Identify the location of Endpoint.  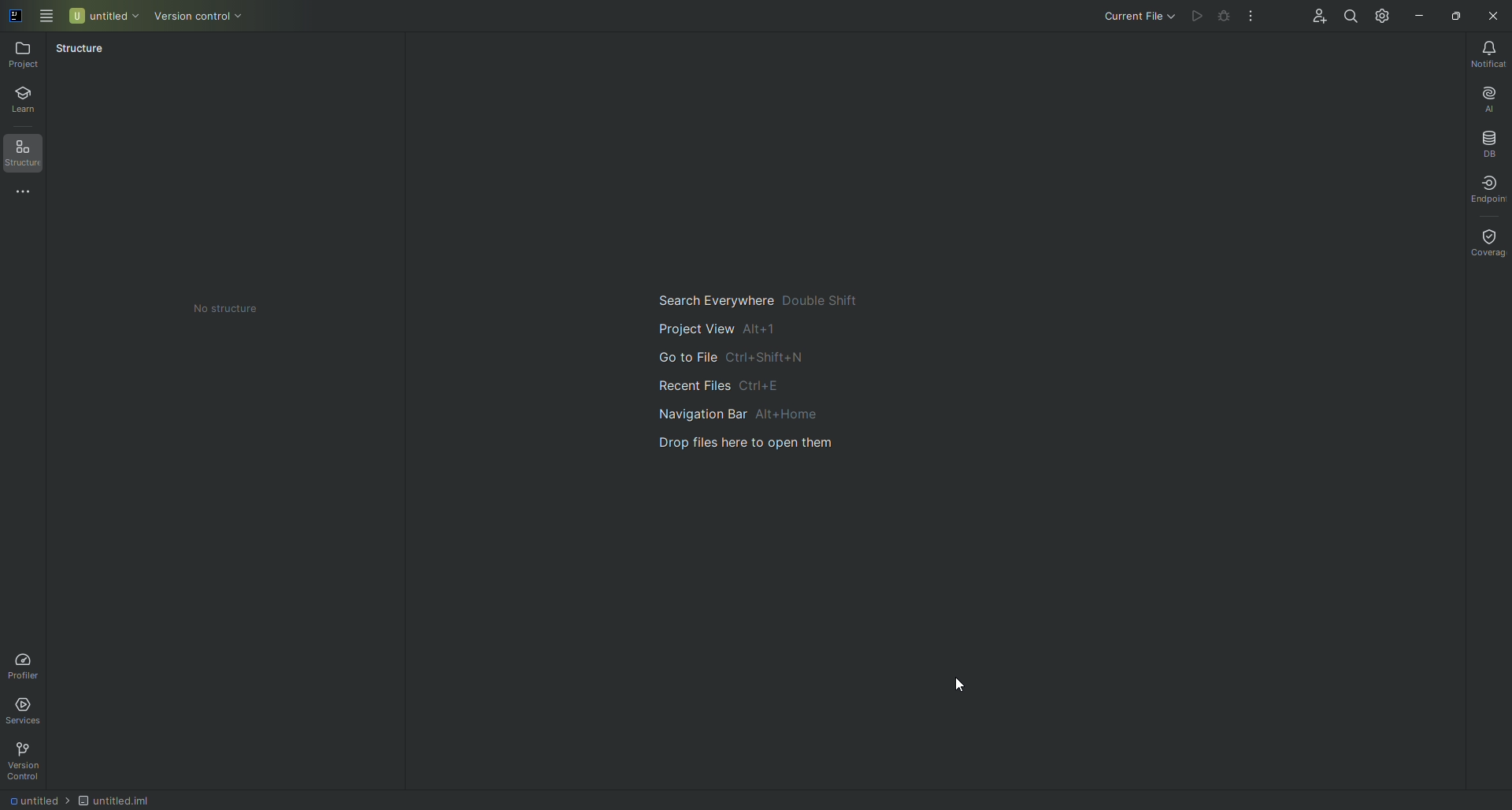
(1489, 190).